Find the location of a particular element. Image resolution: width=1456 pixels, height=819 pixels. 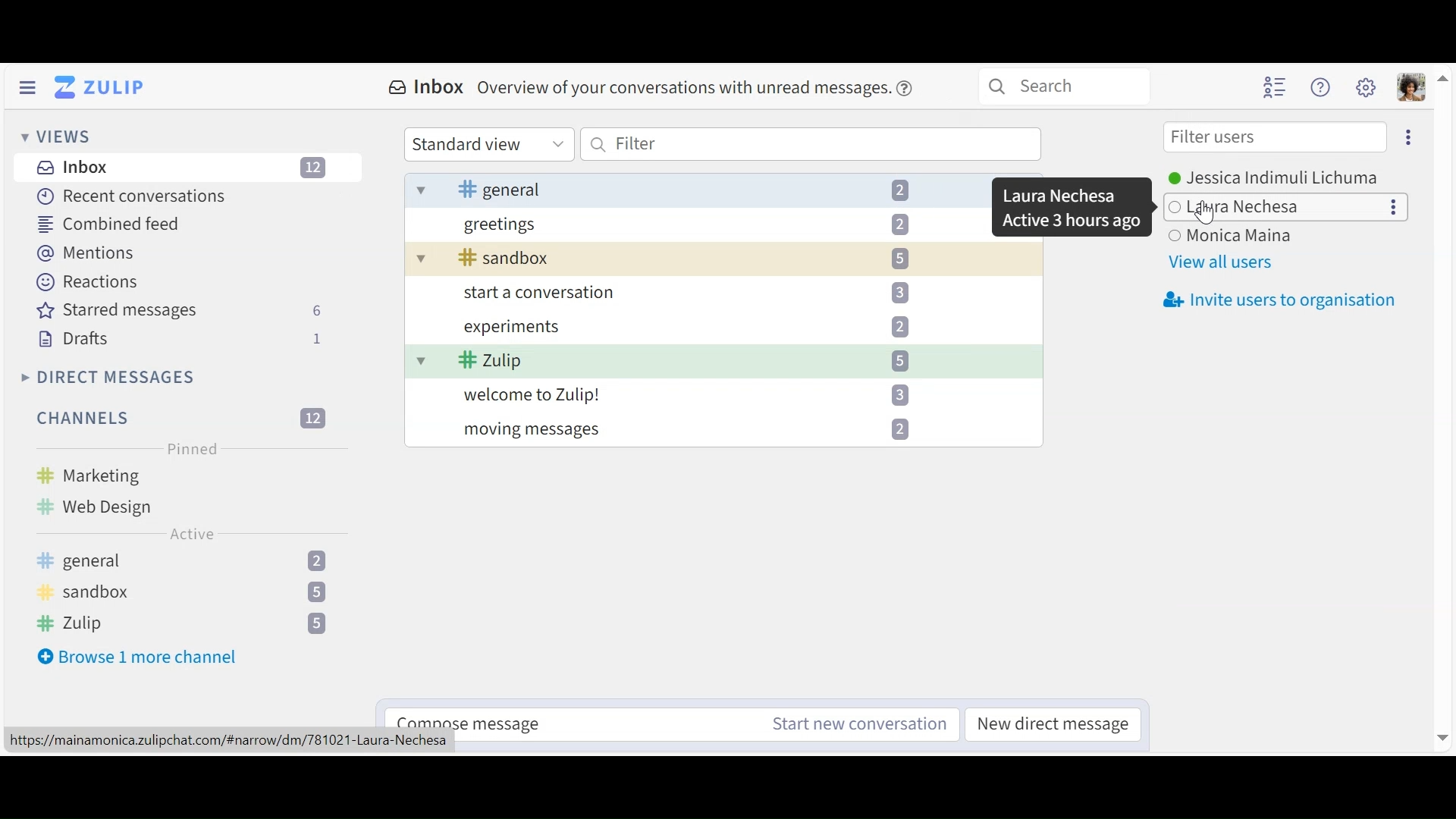

Direct Messages is located at coordinates (108, 377).